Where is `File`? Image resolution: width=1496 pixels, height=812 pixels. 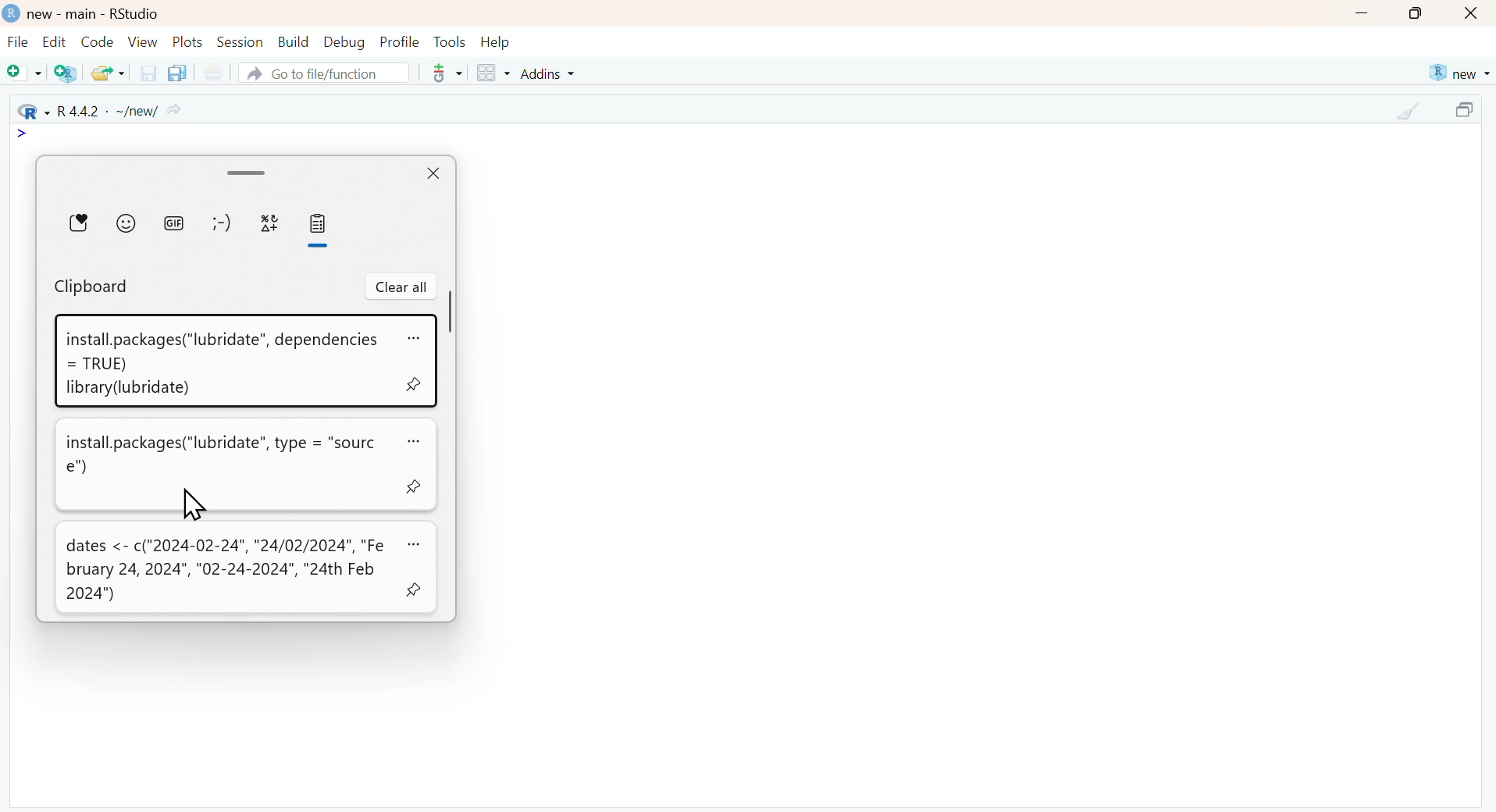
File is located at coordinates (18, 44).